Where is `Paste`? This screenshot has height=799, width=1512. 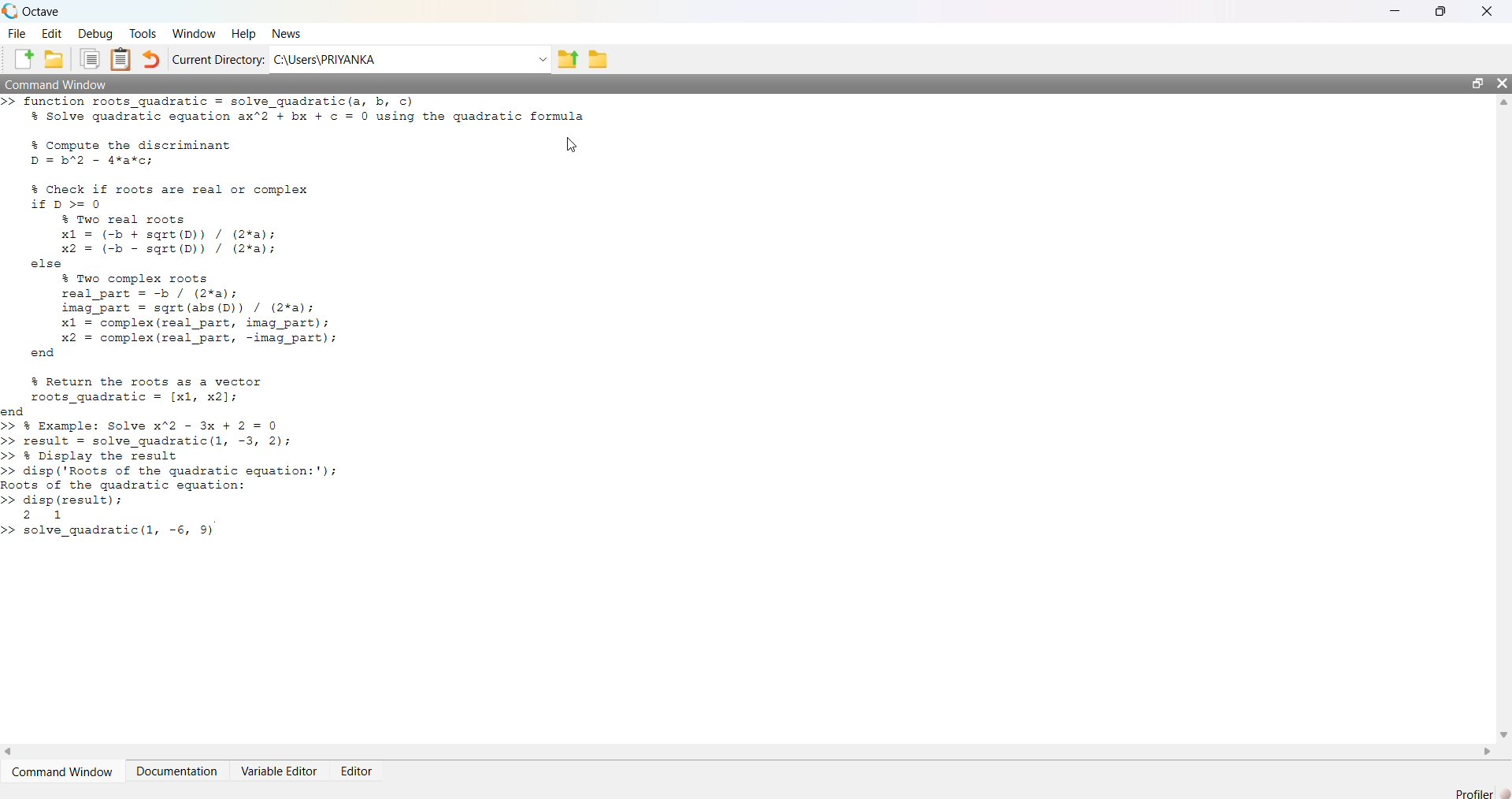
Paste is located at coordinates (123, 59).